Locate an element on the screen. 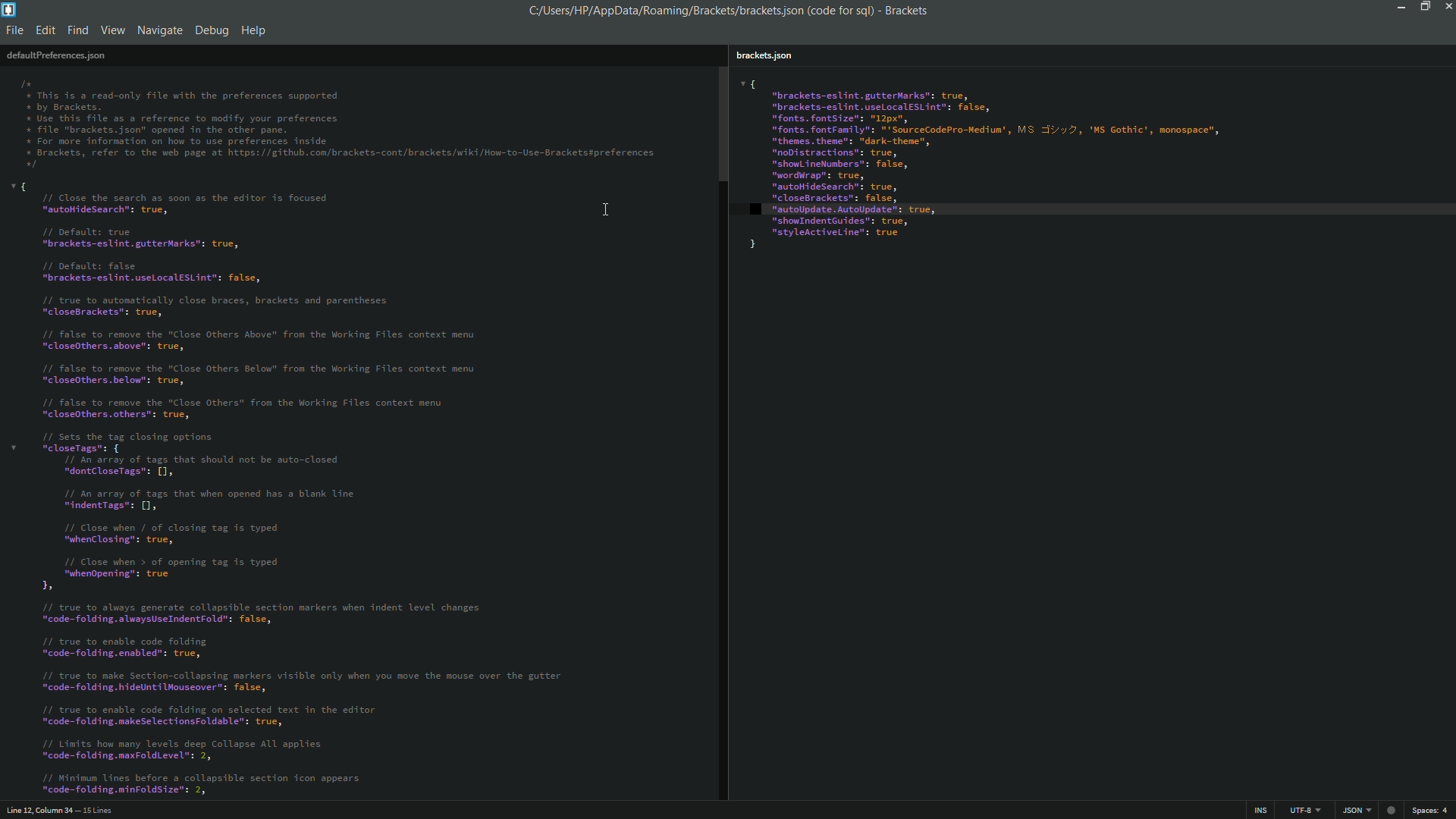 This screenshot has width=1456, height=819. v{
// Close the search as soon as the editor is focused
“autoHidesearch": true,
// Default: true
“brackets-eslint.gutterMarks": true,
// Default: false
"brackets-eslint.useLocalesLint": false,
// true to automatically close braces, brackets and parentheses
"closeBrackets": true,
// false to remove the "Close Others Above" from the Working Files context menu
"closeothers.above": true,
// false to remove the "Close Others Below" from the Working Files context menu
"closeothers.below": true,
// false to remove the "Close Others" from the Working Files context menu
"closeOthers. others": true,
/1 sets the tag closing options
* “closeTags": {
// An array of tags that should not be auto-closed
"dontCloseTags": [1,
// An array of tags that when opened has a blank line
"indentTags": [1,
// Close when / of closing tag is typed
"whenClosing": true,
// Close when > of opening tag is typed
"whenOpening": true
by
// true to always generate collapsible section markers when indent level changes
"code-folding.alwaysUseIndentFold": false,
// true to enable code folding
"code-folding.enabled": true,
// true to make Section-collapsing markers visible only when you move the mouse over the gutter
"code-folding.hideuntilMouseover®: false,
// true to enable code folding on selected text in the editor
"code-folding.makeselectionsFoldable": true,
// Limits how many levels deep Collapse ALL applies
"code-folding.maxFoldLevel™: 2,
// Minimum Lines before a collapsible section icon appears
“code-folding.minFoldsize": 2, is located at coordinates (303, 489).